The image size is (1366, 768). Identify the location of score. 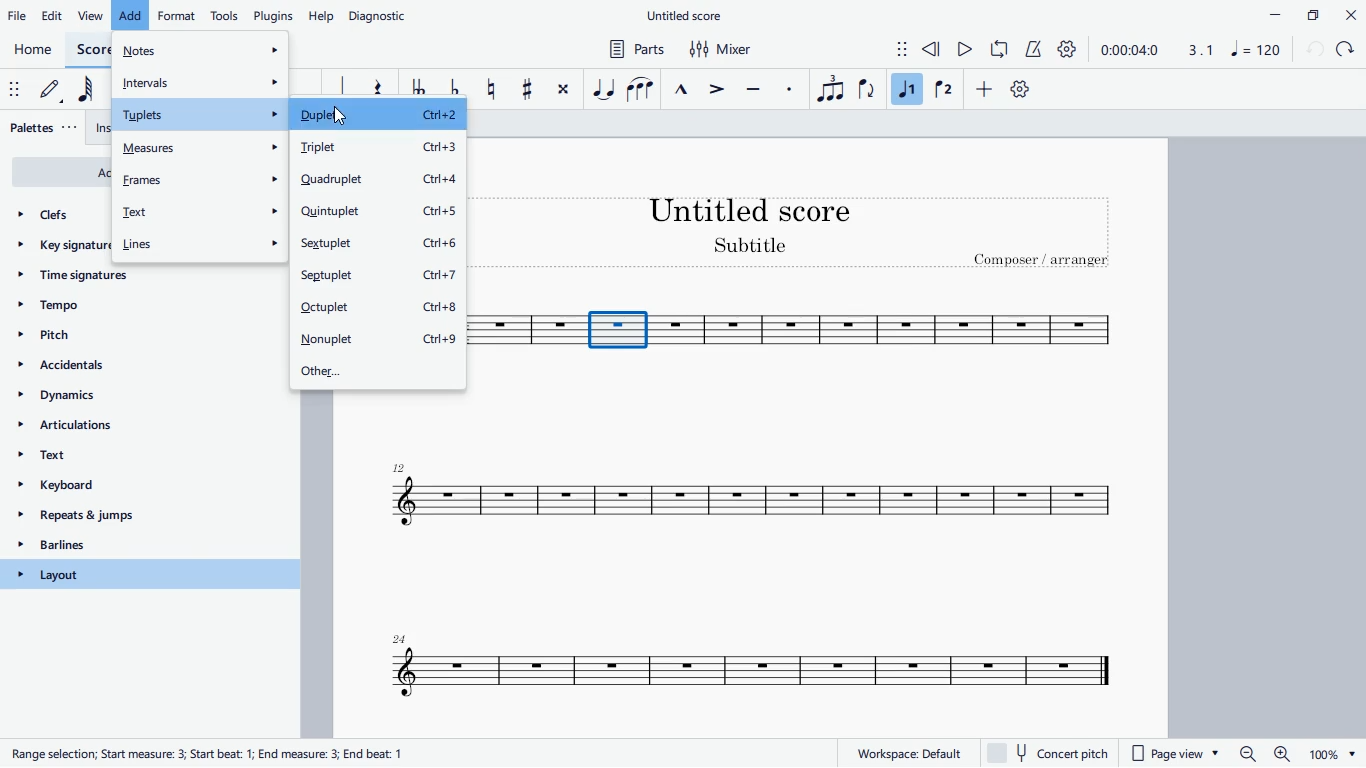
(756, 498).